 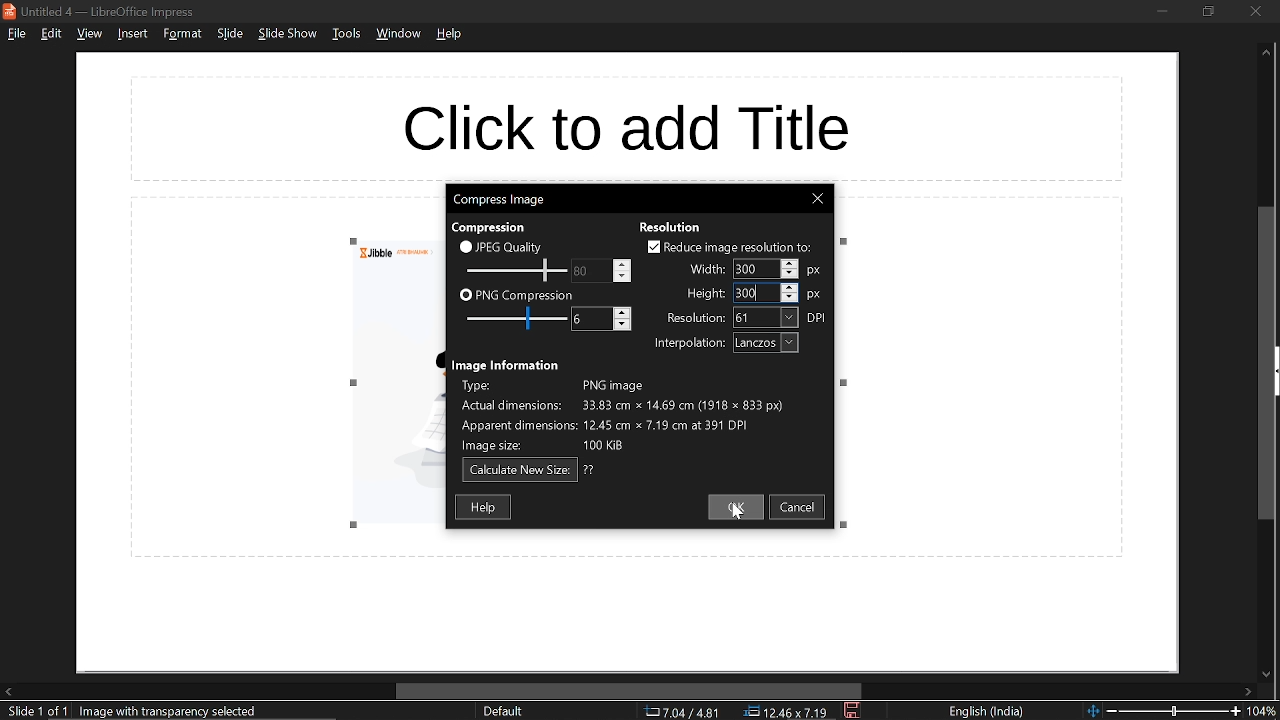 I want to click on help, so click(x=484, y=507).